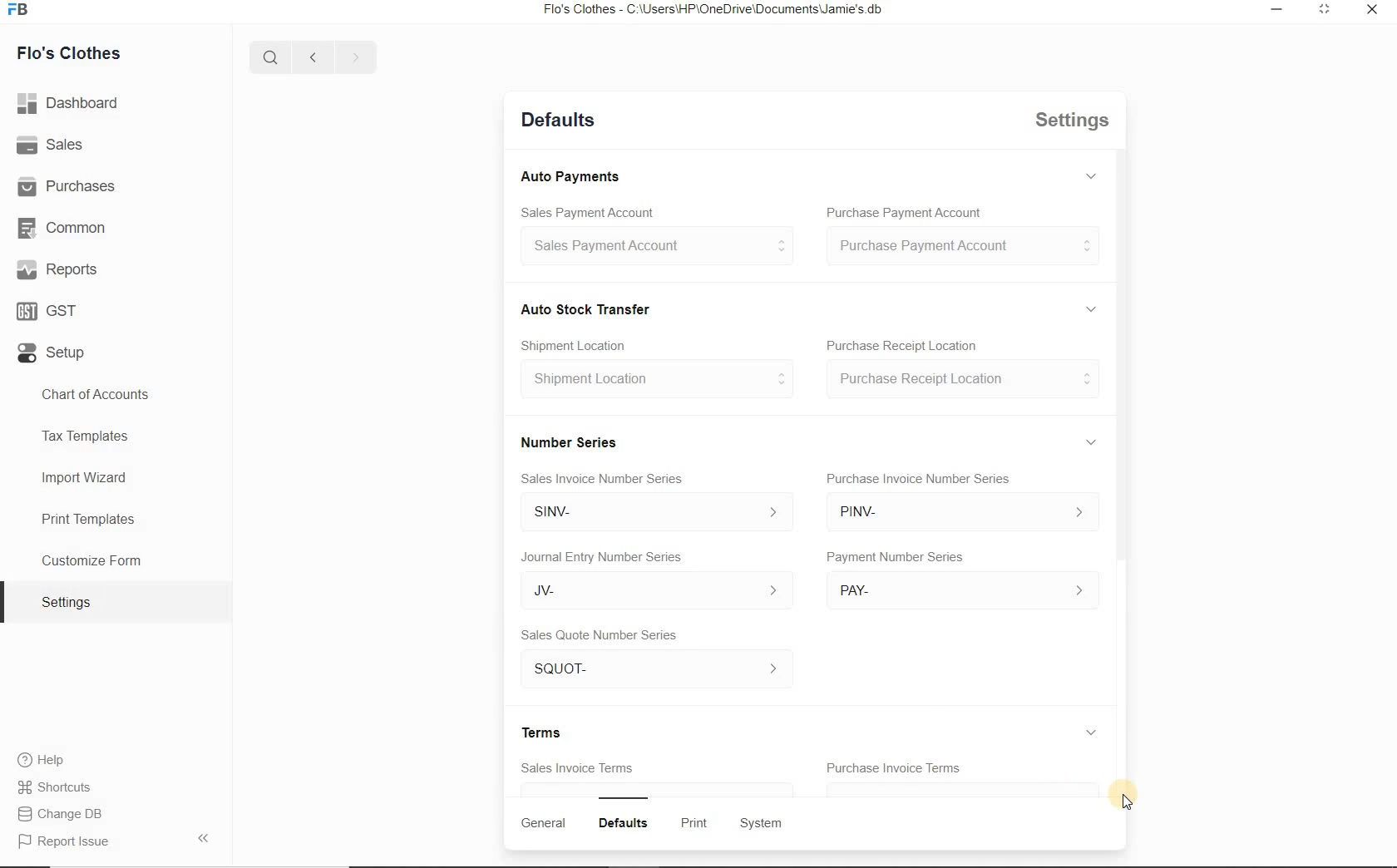 This screenshot has width=1397, height=868. Describe the element at coordinates (86, 481) in the screenshot. I see `Import Wizard` at that location.